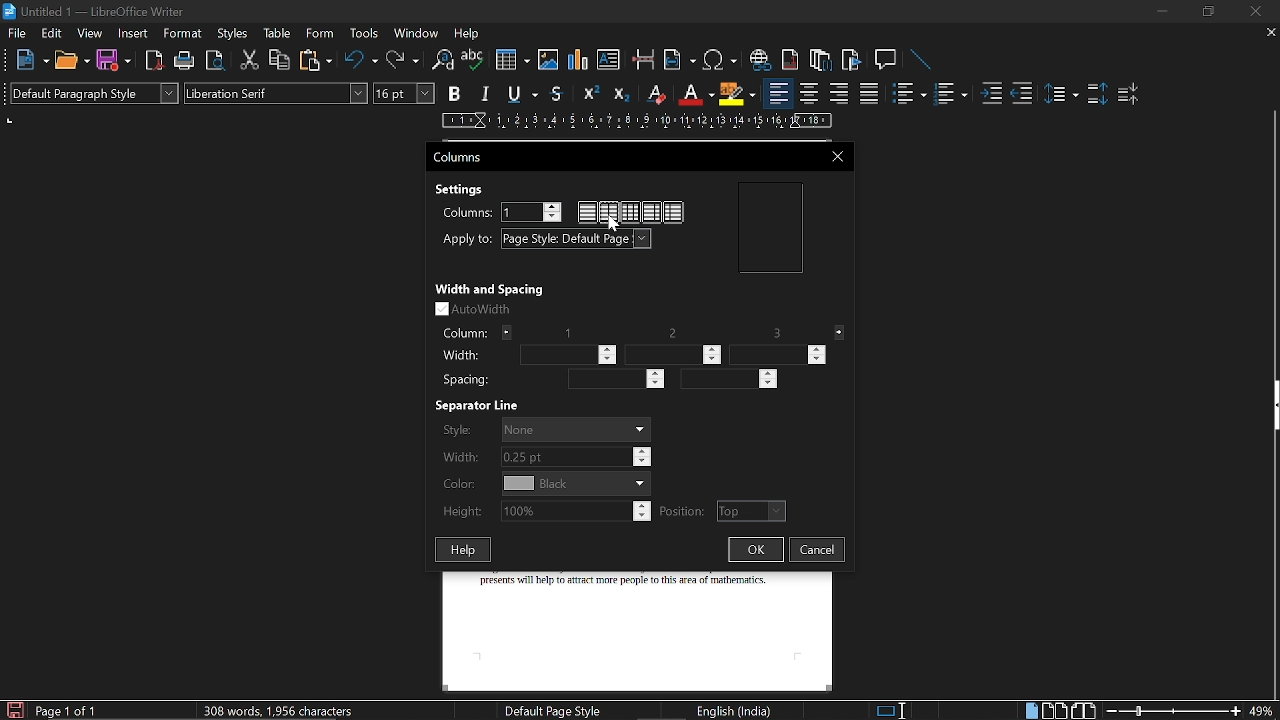 This screenshot has width=1280, height=720. I want to click on Import as pdf, so click(154, 62).